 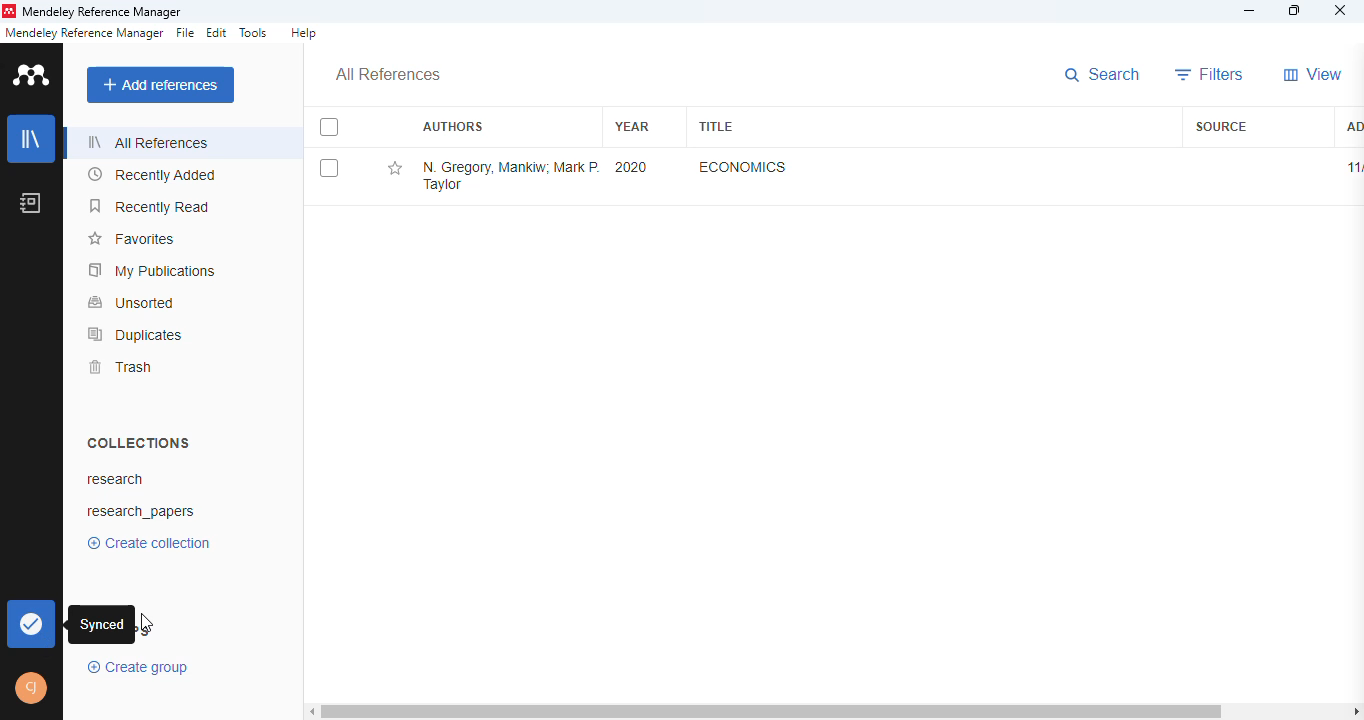 What do you see at coordinates (32, 74) in the screenshot?
I see `logo` at bounding box center [32, 74].